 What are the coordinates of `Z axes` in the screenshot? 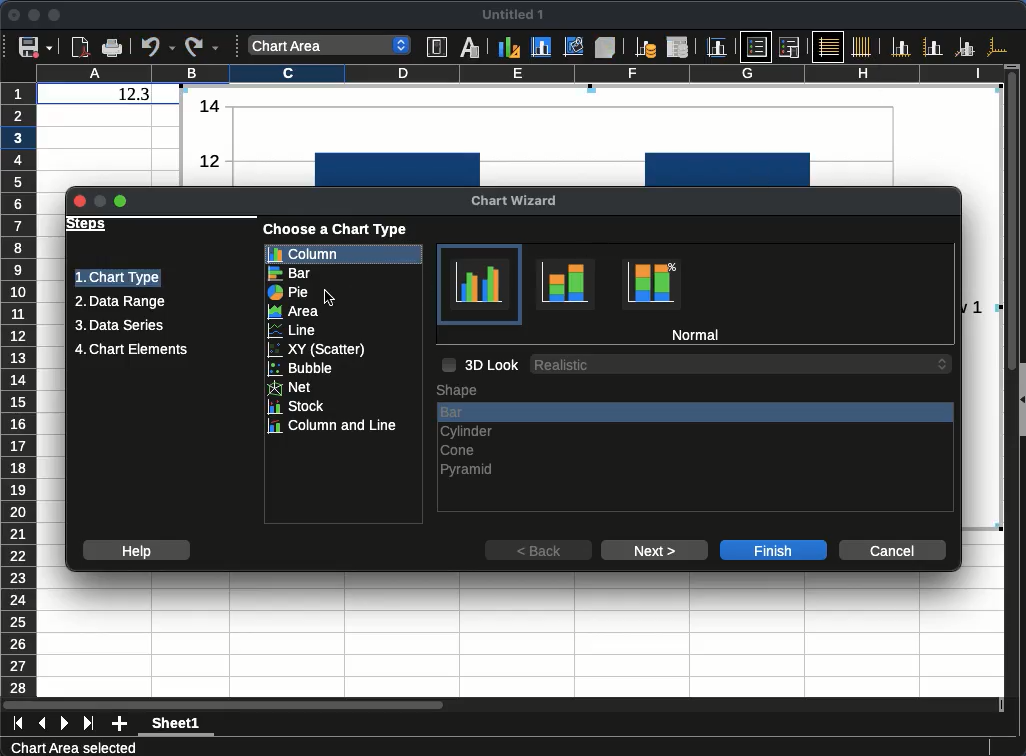 It's located at (965, 47).